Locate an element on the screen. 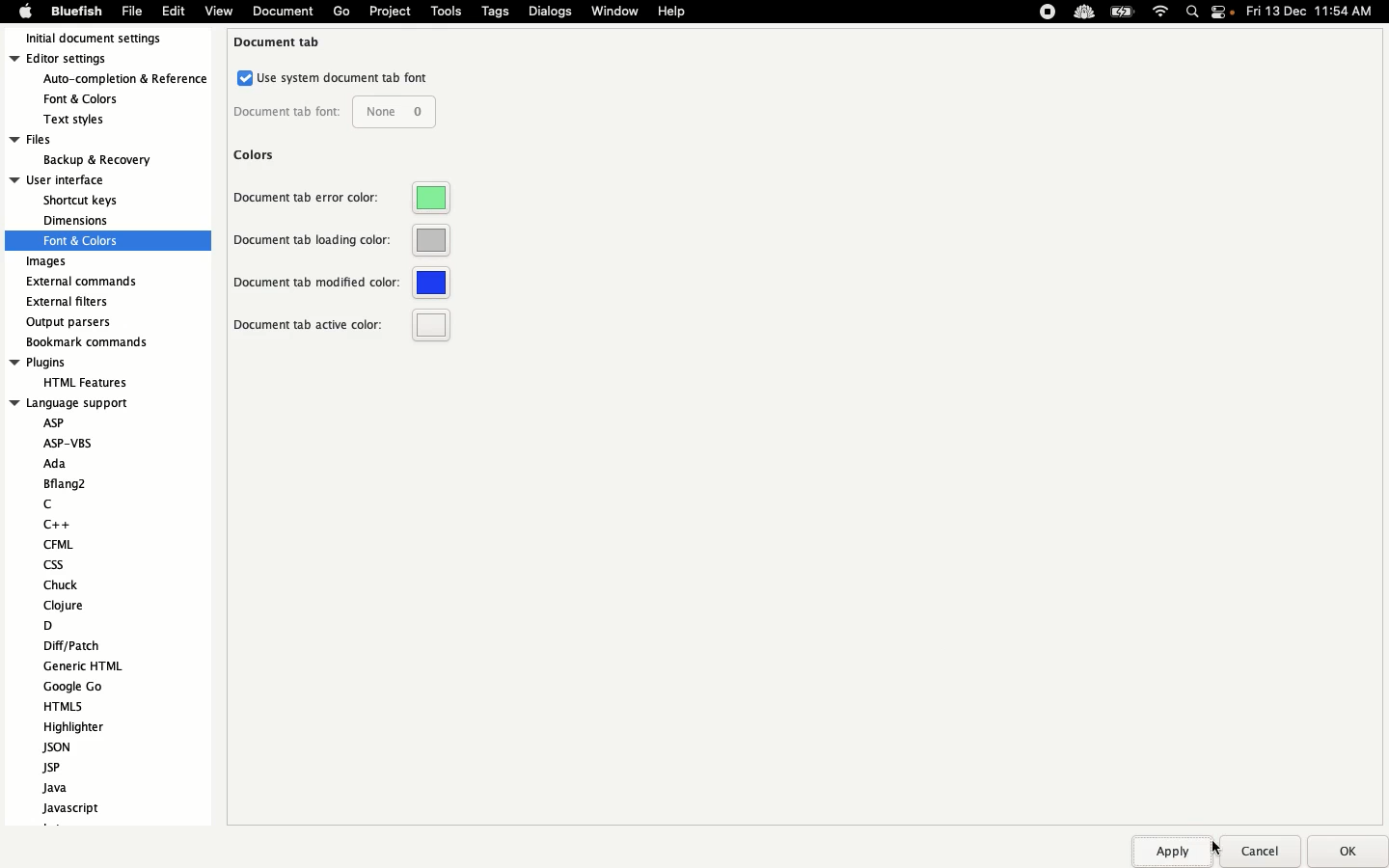 This screenshot has width=1389, height=868. Output parsers is located at coordinates (73, 322).